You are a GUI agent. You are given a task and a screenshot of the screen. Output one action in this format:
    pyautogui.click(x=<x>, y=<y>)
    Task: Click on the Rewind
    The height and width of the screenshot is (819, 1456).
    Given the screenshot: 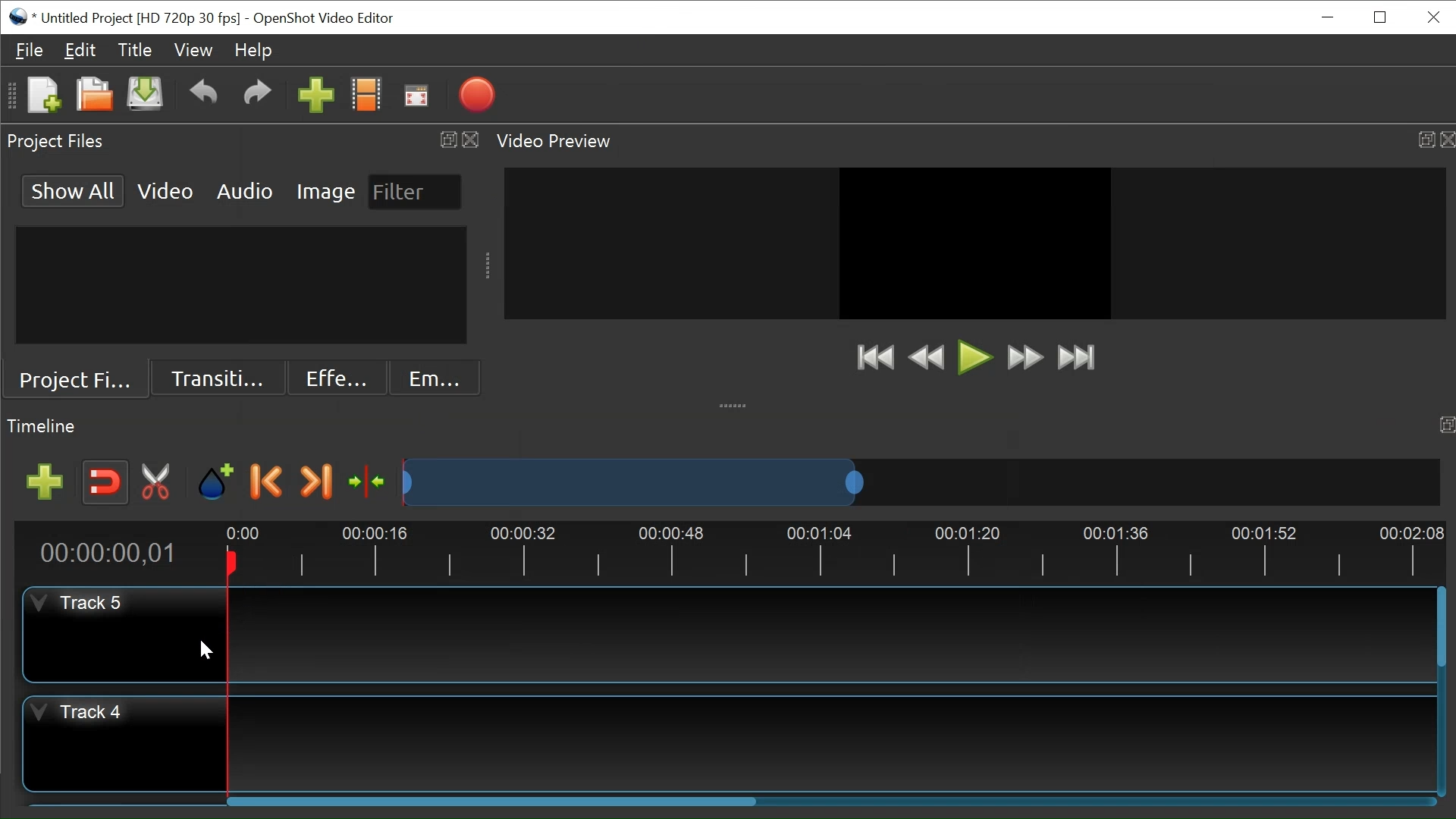 What is the action you would take?
    pyautogui.click(x=927, y=358)
    